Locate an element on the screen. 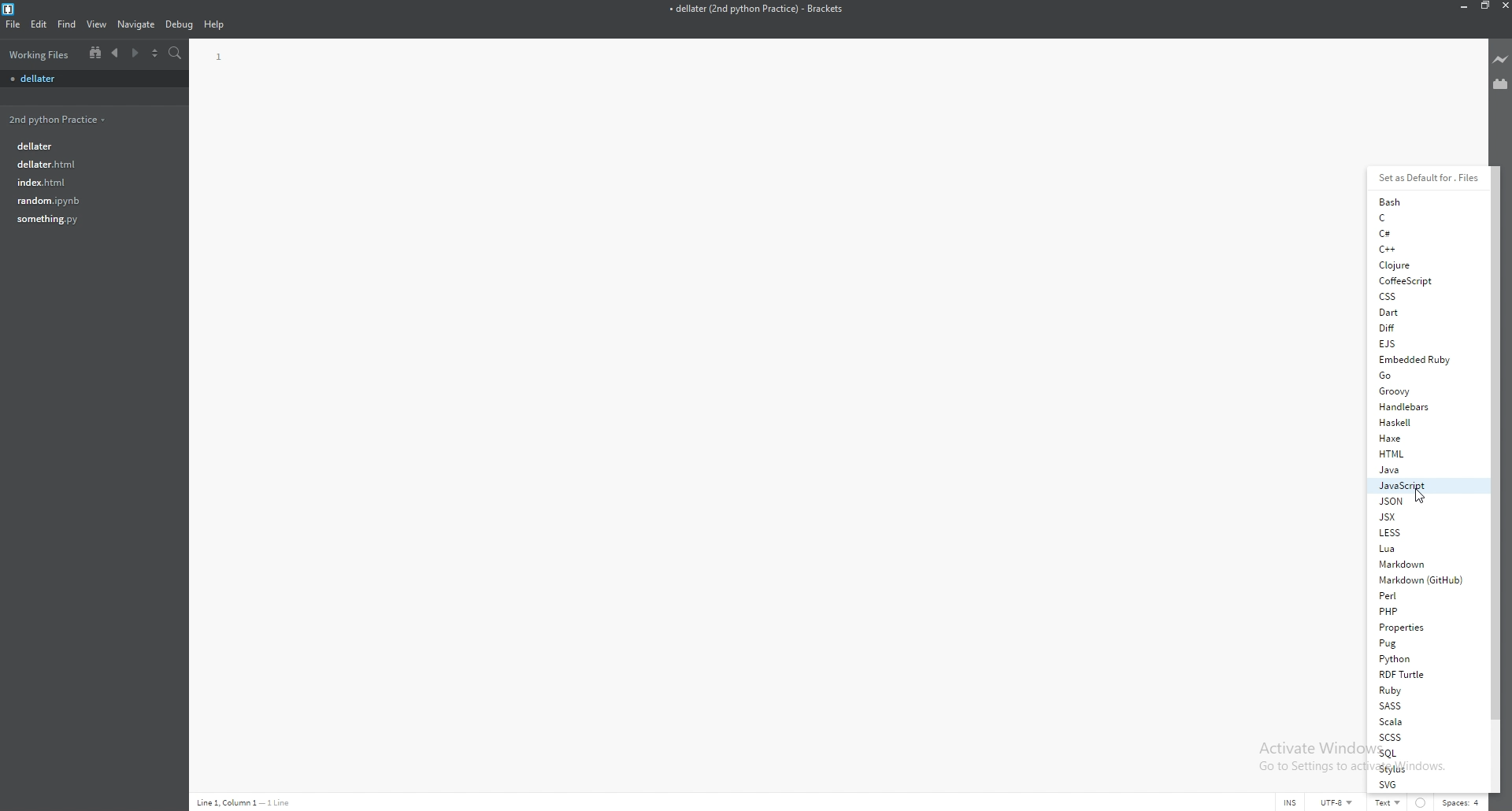 This screenshot has height=811, width=1512. go is located at coordinates (1423, 376).